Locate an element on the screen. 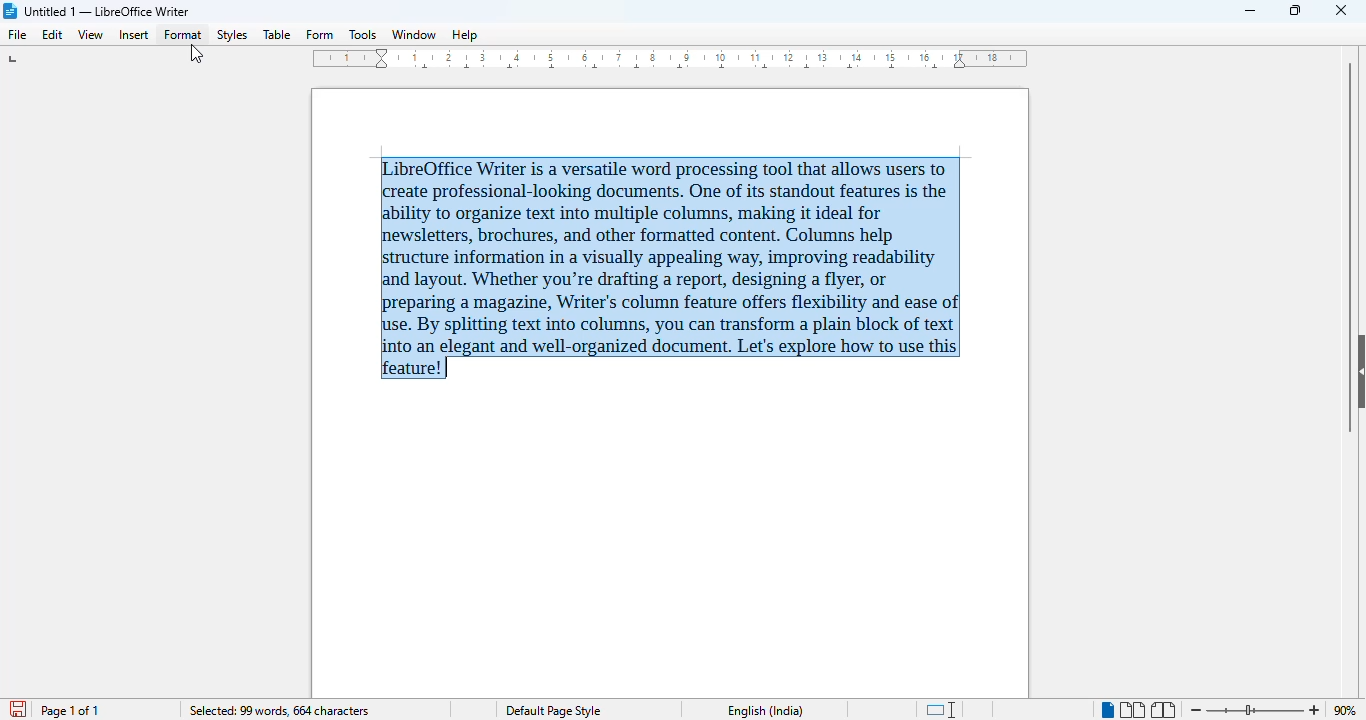 This screenshot has height=720, width=1366. LibreOffice Writer is a versatile word processing tool that allows users to create professional-looking documents. One of its standout features is the ability to organize text into multiple columns, making it ideal for newsletters, brochures, and other formatted content. Columns help structure information in a visually appealing way, improving readability and layout. Whether you're drafting a report, designing a flyer, or preparing a magazine, Writer's column feature offers flexibility and ease of use. By splitting text into columns, you can transform a plain block of text into an elegant and well-organized document. Let's explore how to use this feature! (Select text) is located at coordinates (671, 268).